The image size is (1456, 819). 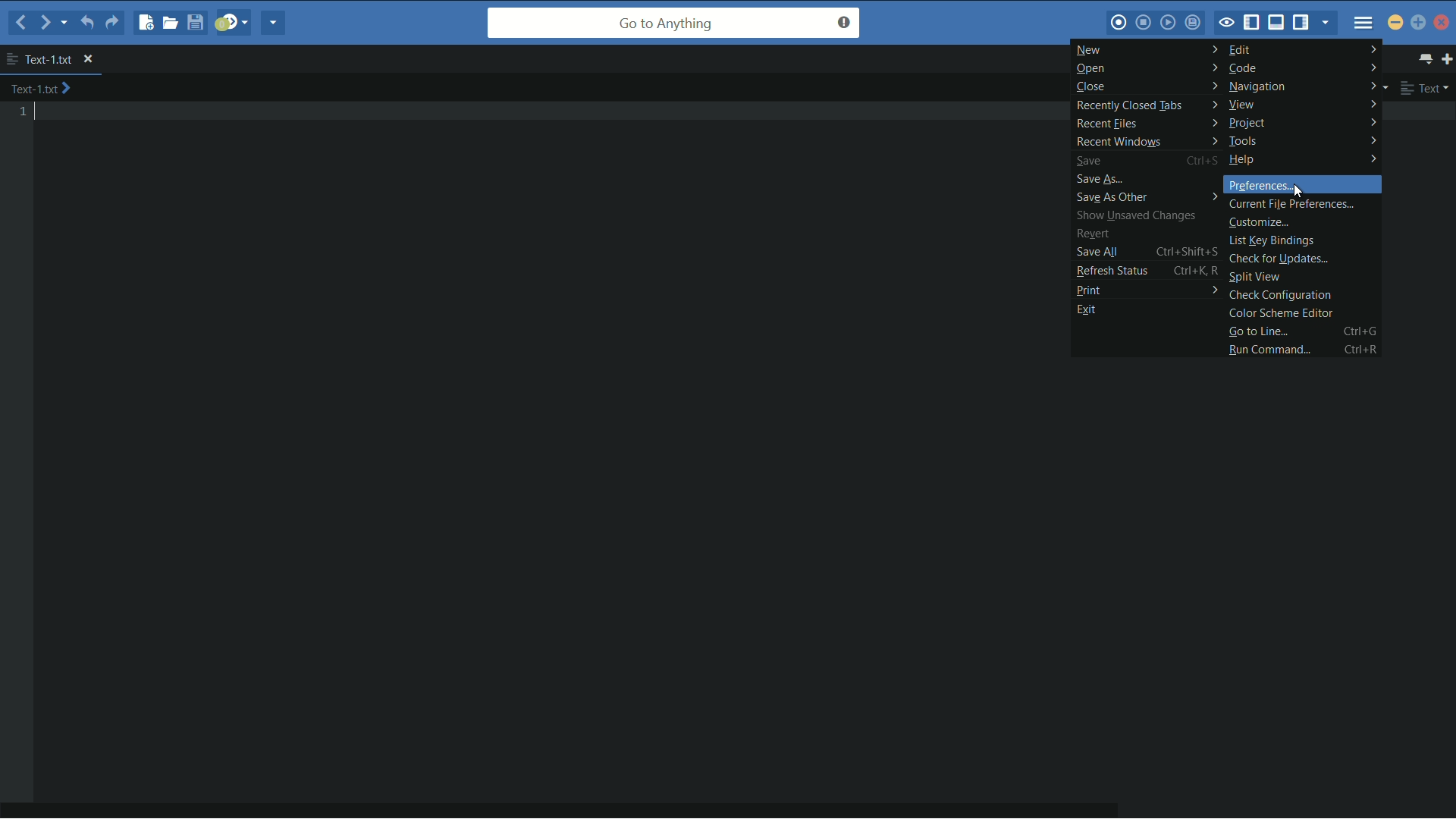 What do you see at coordinates (111, 25) in the screenshot?
I see `redo` at bounding box center [111, 25].